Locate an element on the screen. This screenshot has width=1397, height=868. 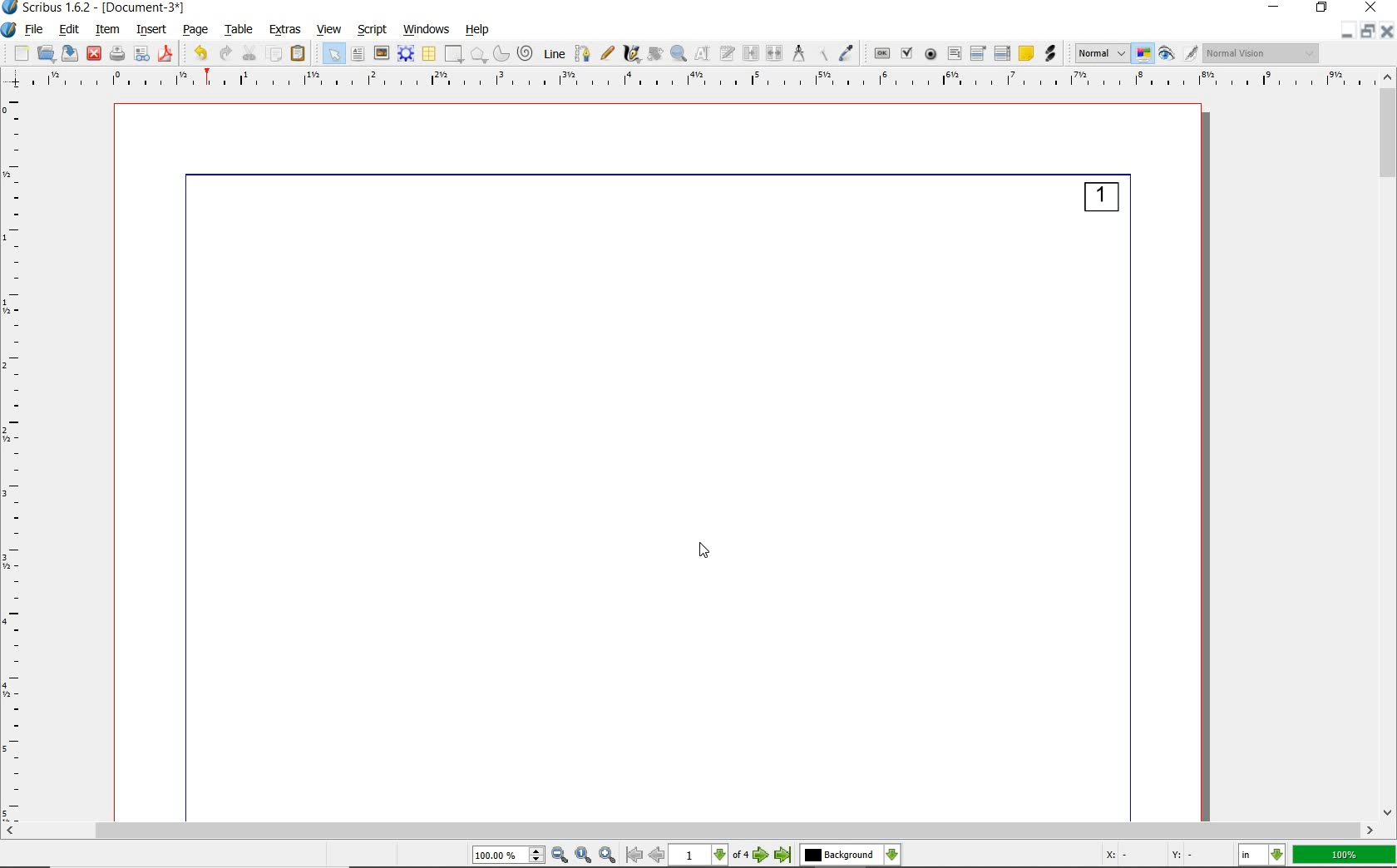
select the current unit: in is located at coordinates (1261, 855).